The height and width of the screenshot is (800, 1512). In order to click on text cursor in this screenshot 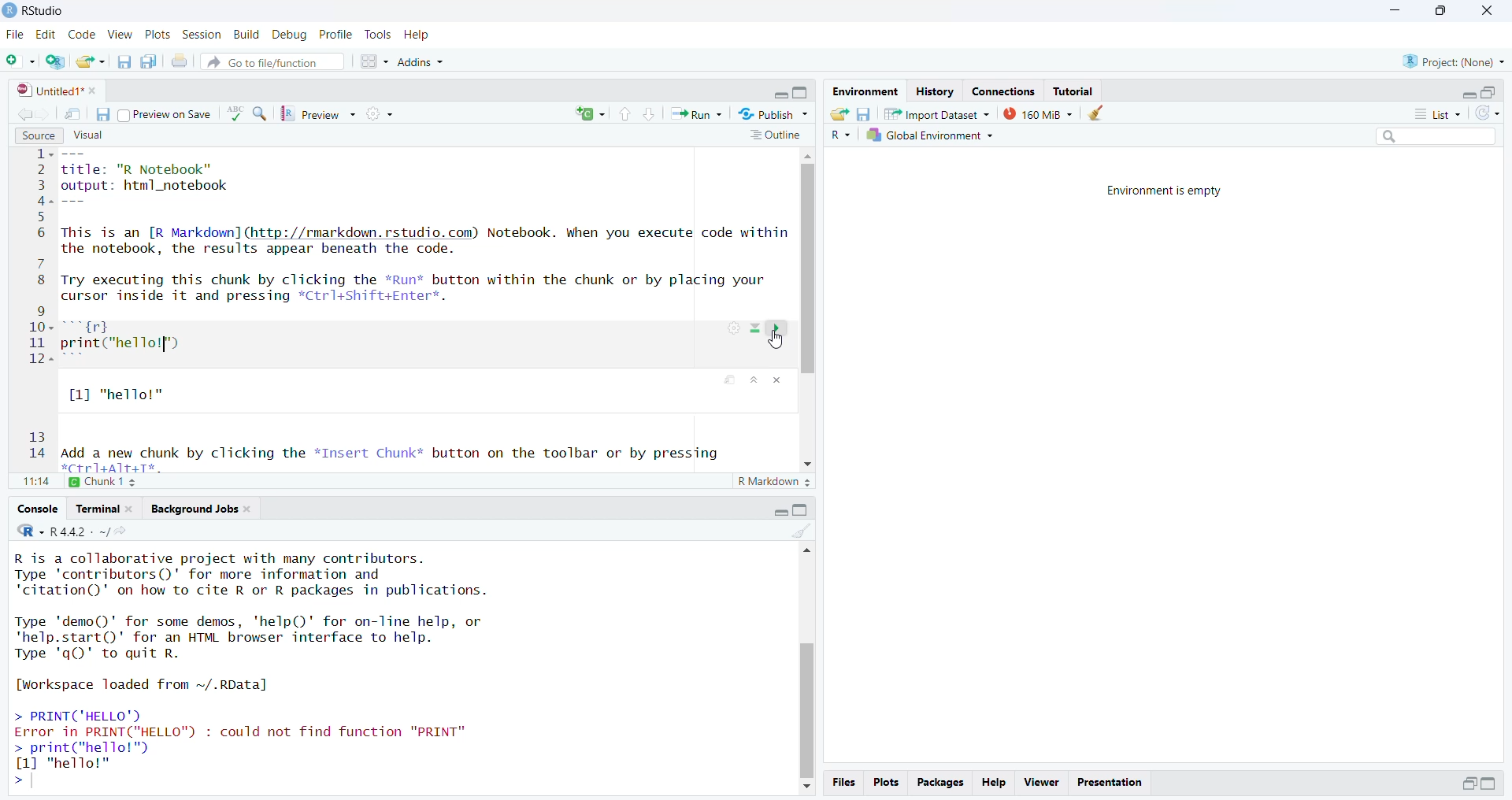, I will do `click(163, 346)`.